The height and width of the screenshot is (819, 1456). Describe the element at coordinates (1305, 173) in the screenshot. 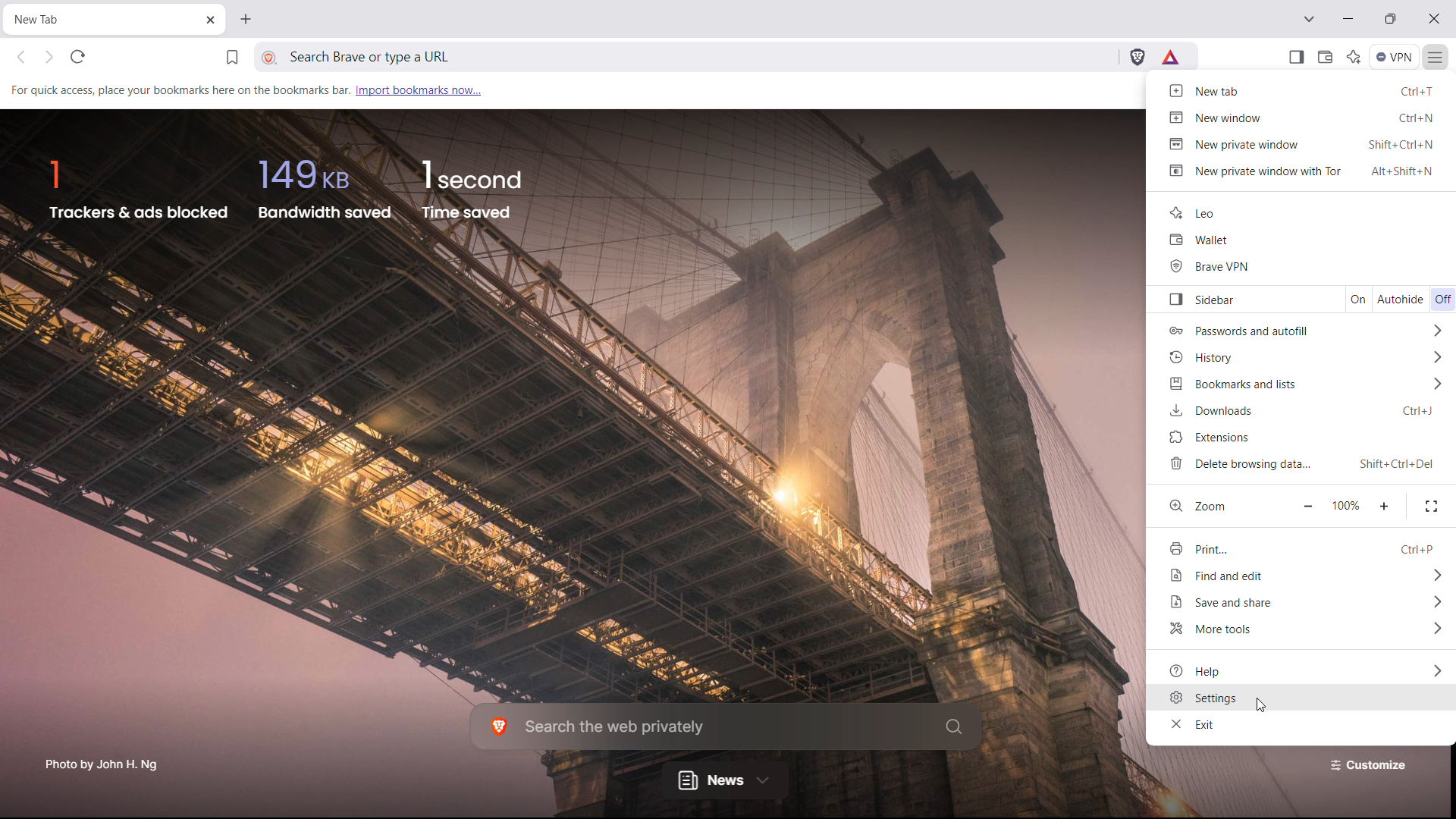

I see `new private window with tor` at that location.